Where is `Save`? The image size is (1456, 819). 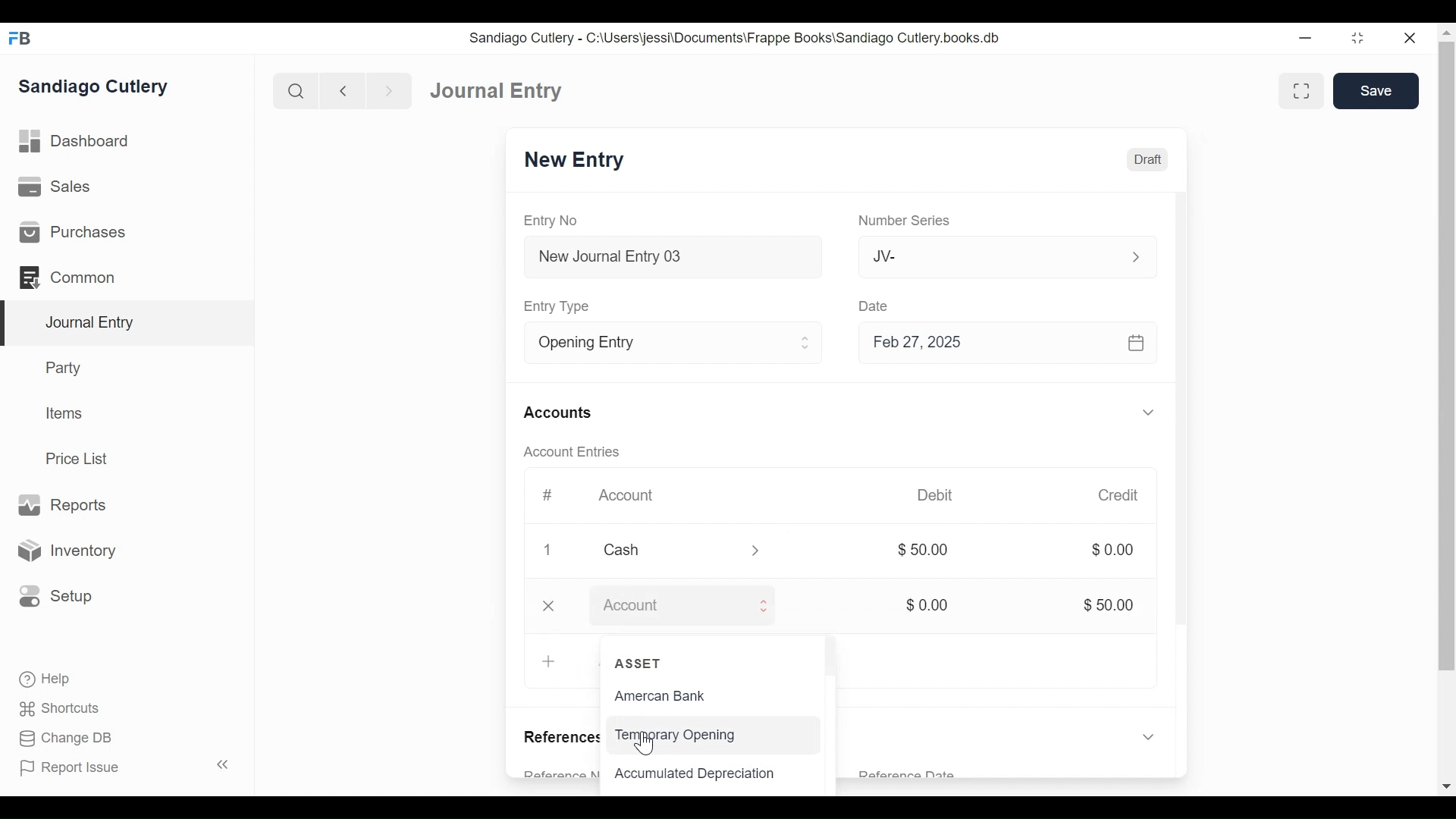
Save is located at coordinates (1375, 91).